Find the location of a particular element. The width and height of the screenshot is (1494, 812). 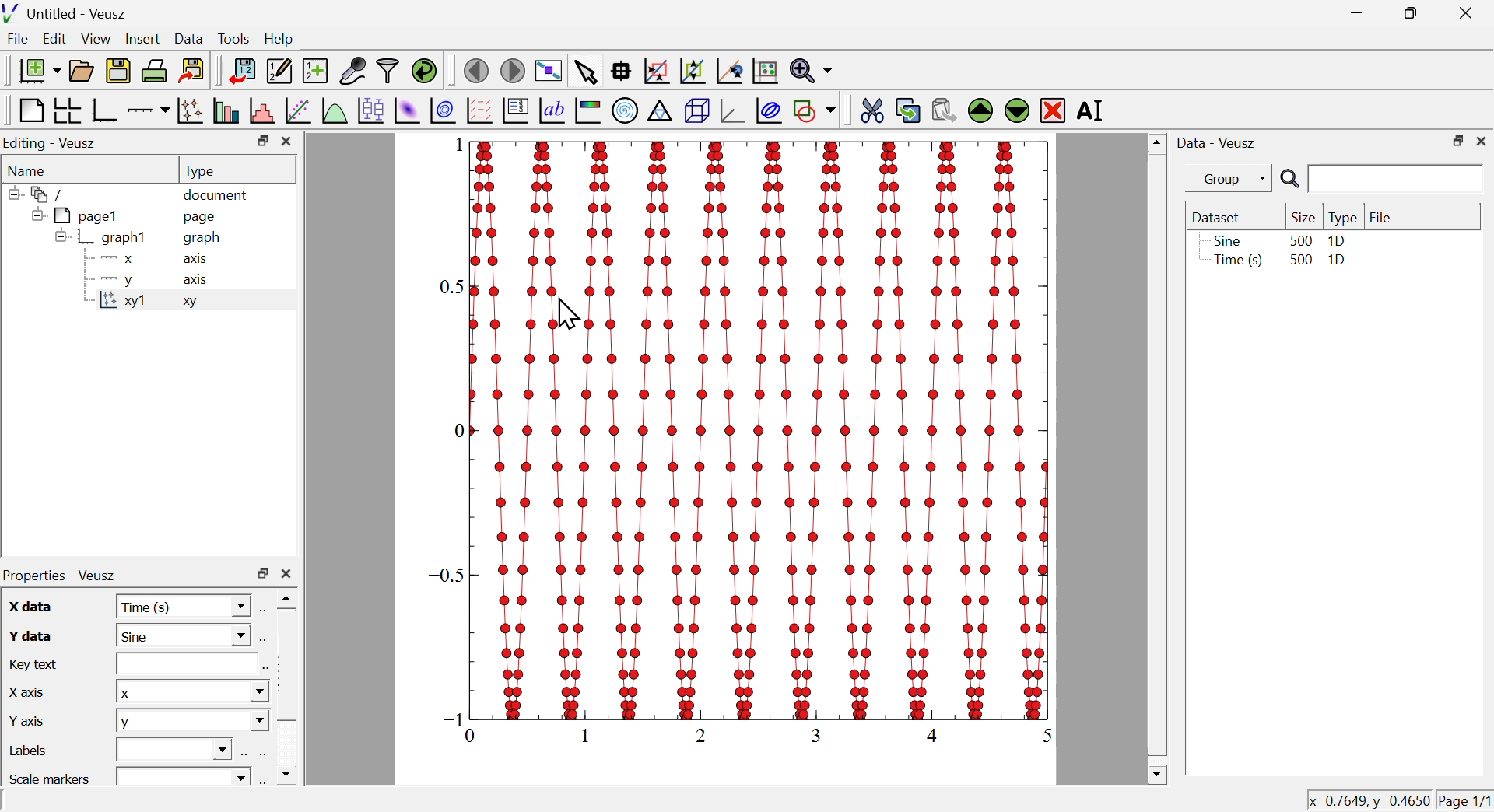

x data is located at coordinates (32, 606).